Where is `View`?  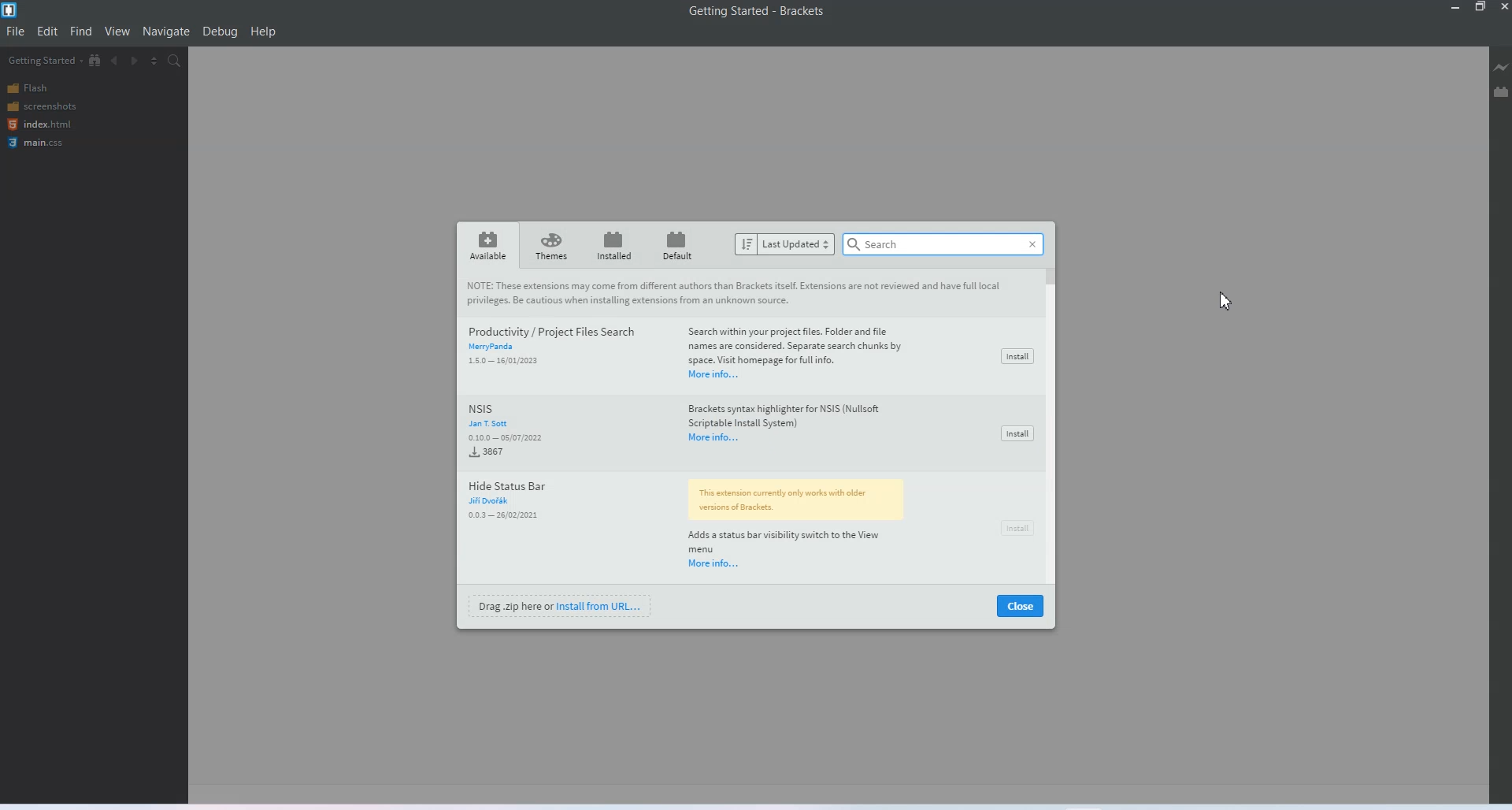
View is located at coordinates (117, 32).